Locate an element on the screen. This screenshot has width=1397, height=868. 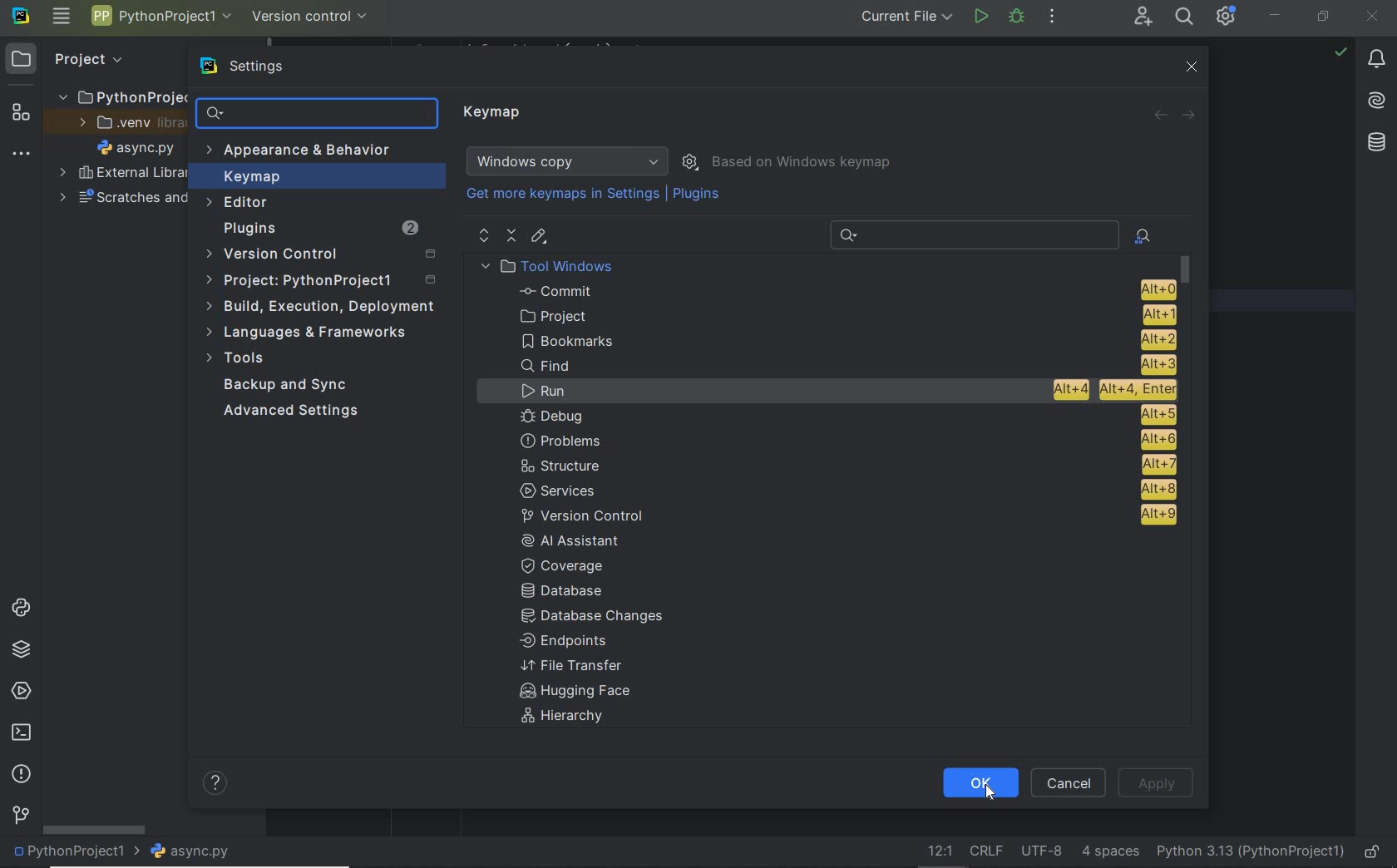
Code With Me is located at coordinates (1143, 17).